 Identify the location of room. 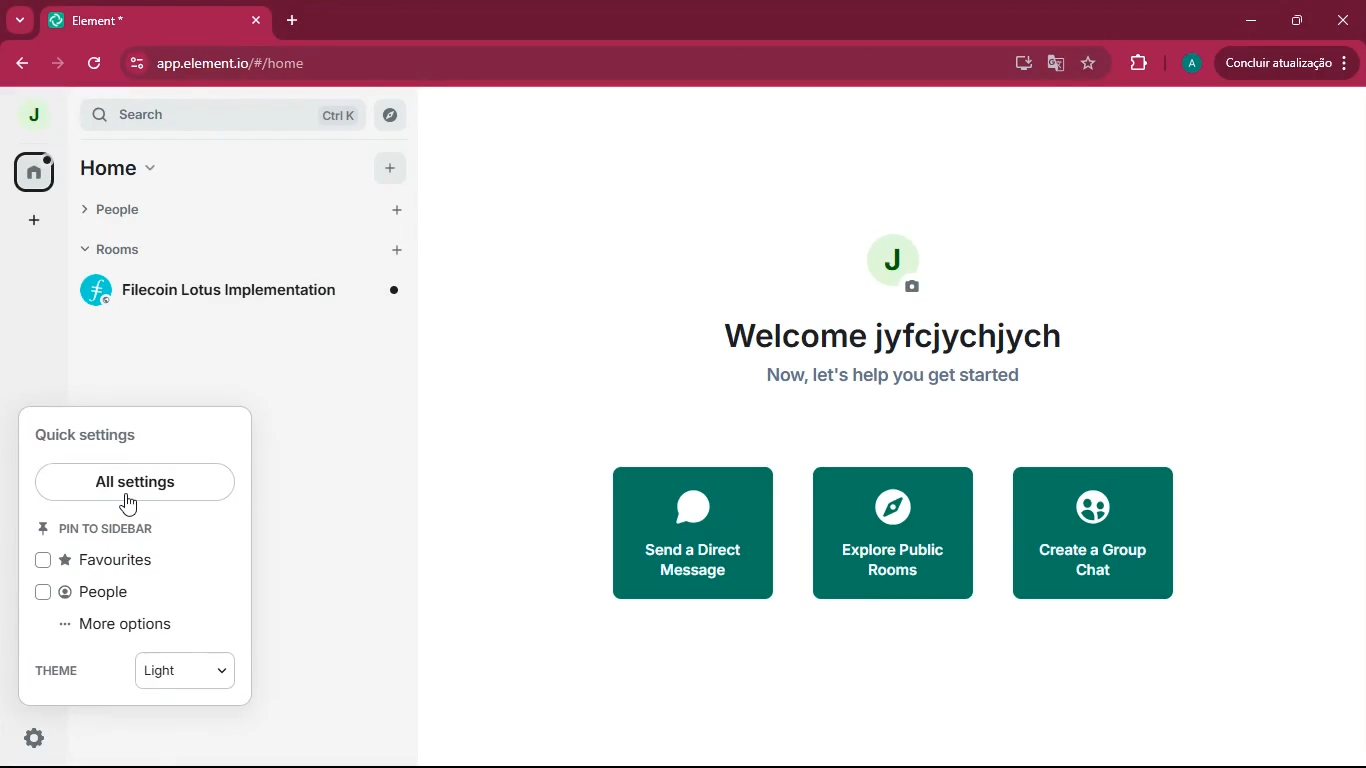
(240, 291).